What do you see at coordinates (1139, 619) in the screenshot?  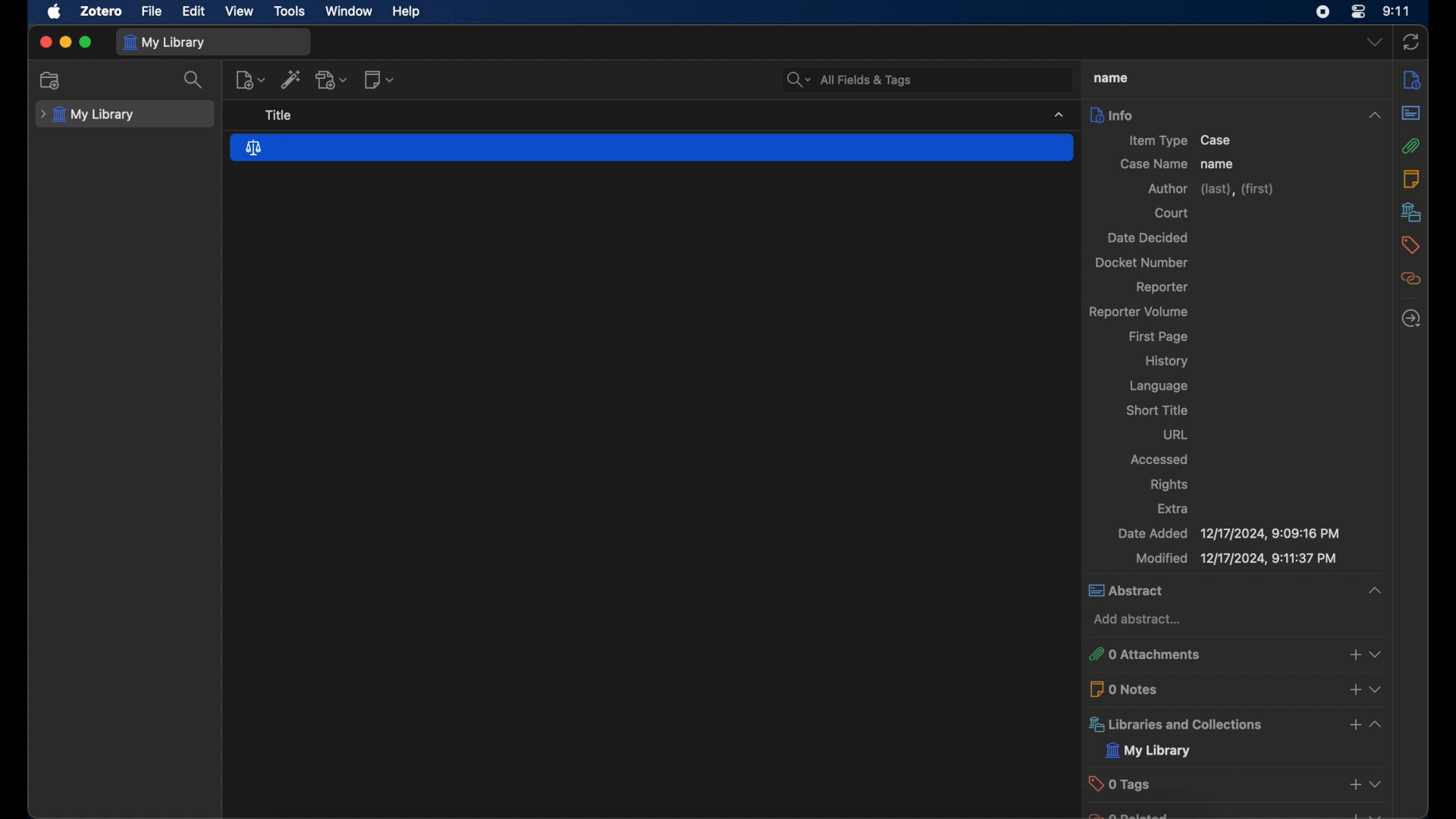 I see `add abstract` at bounding box center [1139, 619].